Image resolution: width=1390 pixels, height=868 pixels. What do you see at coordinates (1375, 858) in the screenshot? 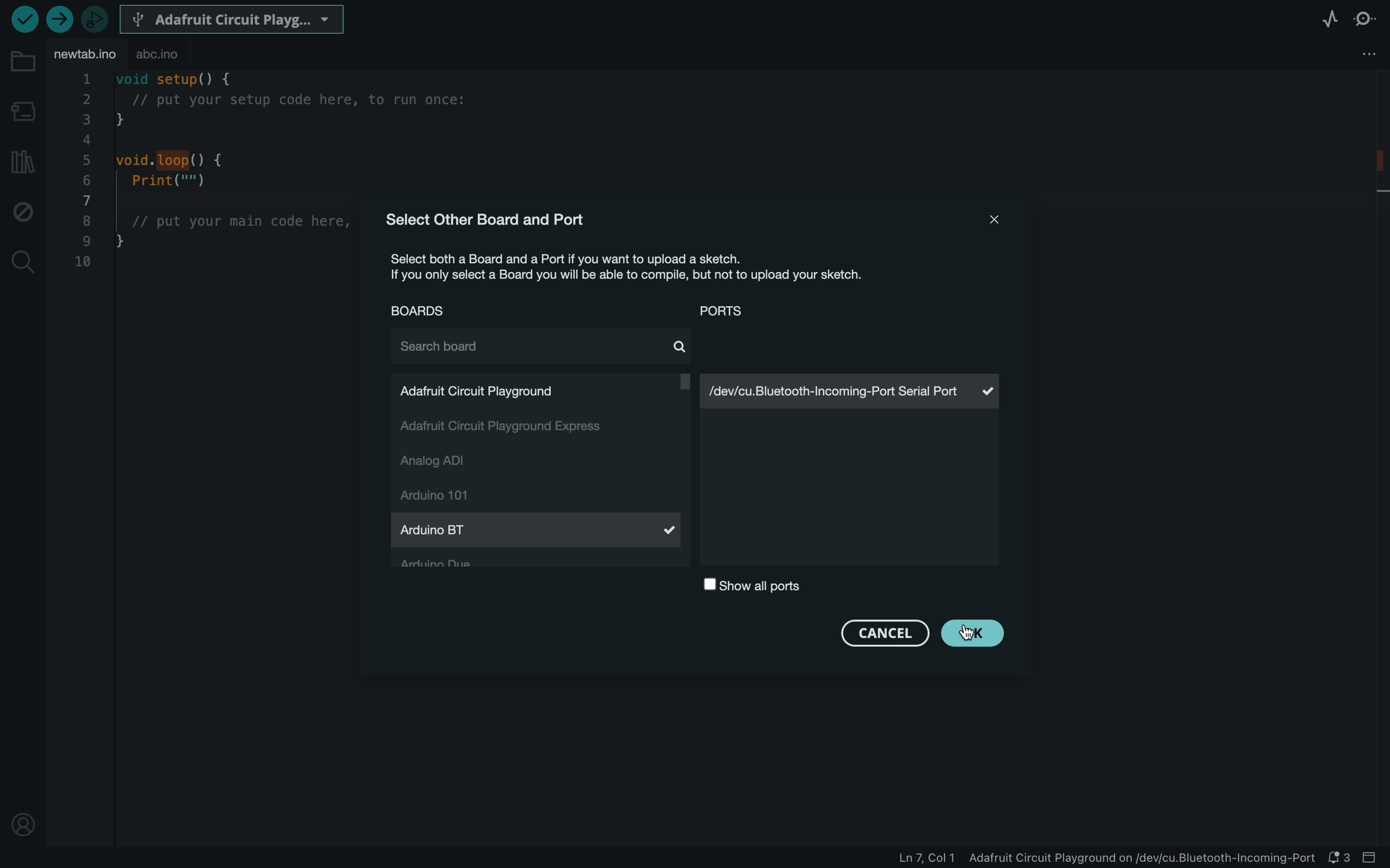
I see `close slide bar` at bounding box center [1375, 858].